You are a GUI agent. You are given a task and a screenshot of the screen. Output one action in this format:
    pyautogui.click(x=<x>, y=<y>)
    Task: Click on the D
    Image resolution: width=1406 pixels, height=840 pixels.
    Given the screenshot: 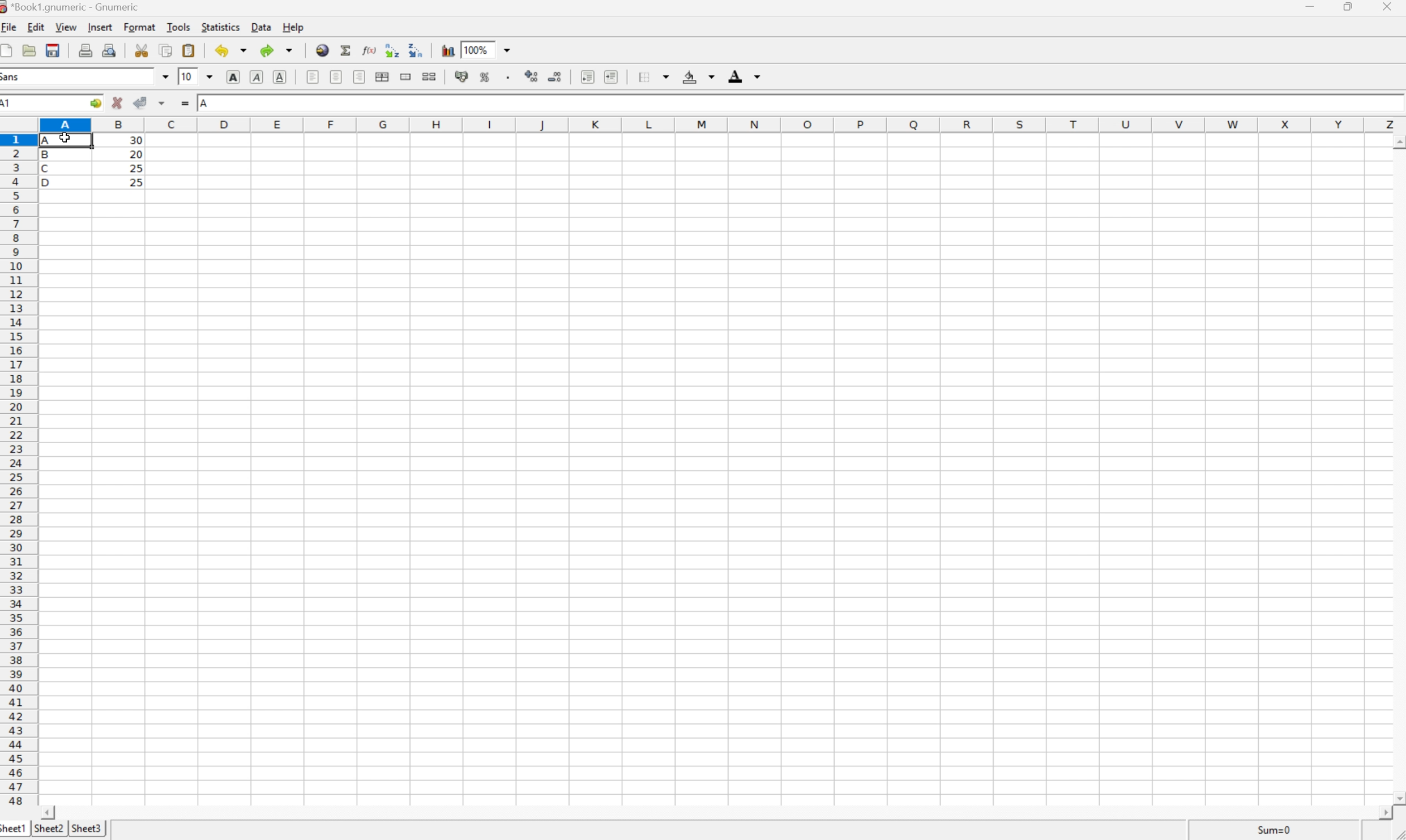 What is the action you would take?
    pyautogui.click(x=50, y=182)
    